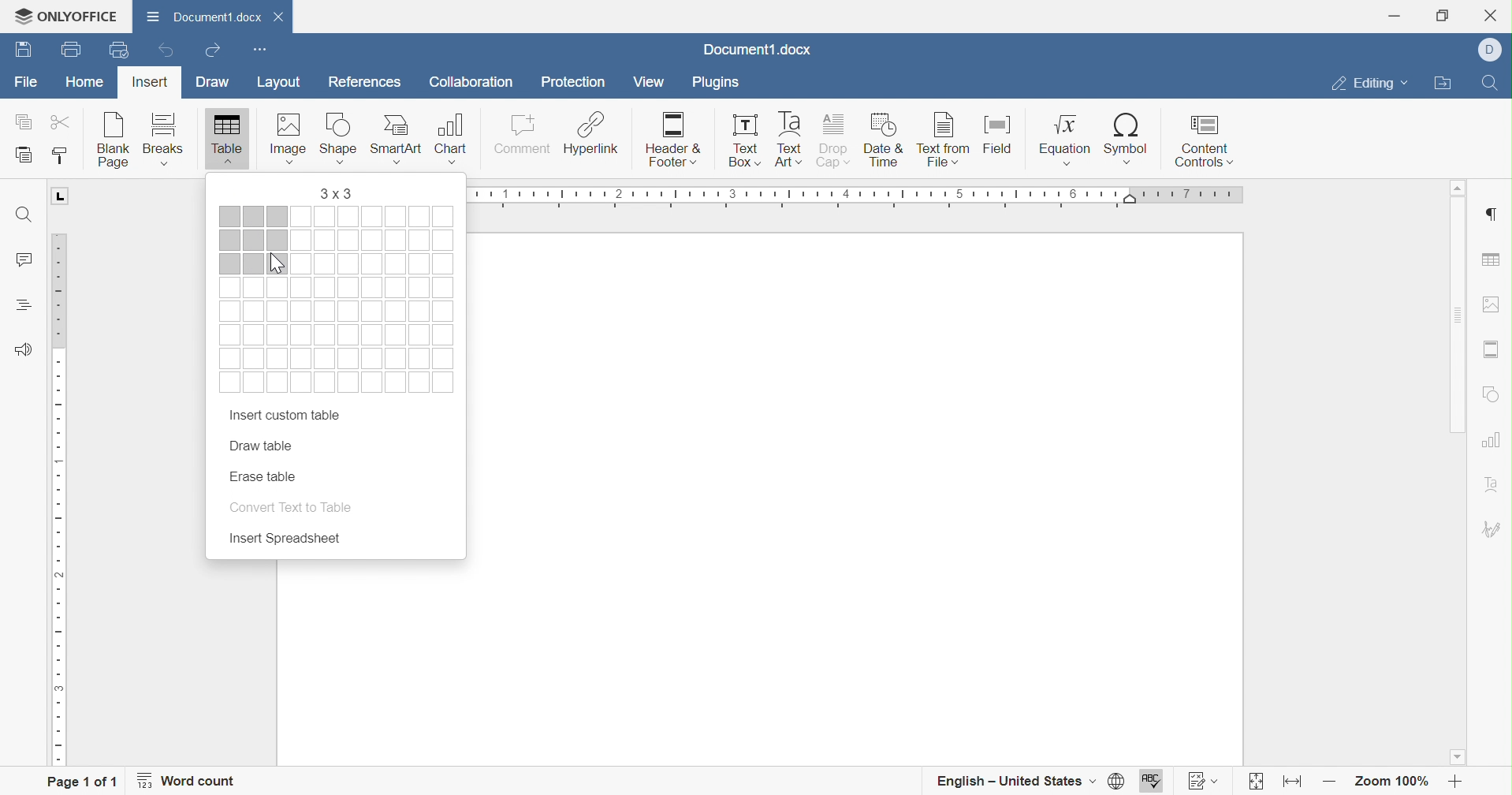 Image resolution: width=1512 pixels, height=795 pixels. What do you see at coordinates (162, 140) in the screenshot?
I see `Insert breaks` at bounding box center [162, 140].